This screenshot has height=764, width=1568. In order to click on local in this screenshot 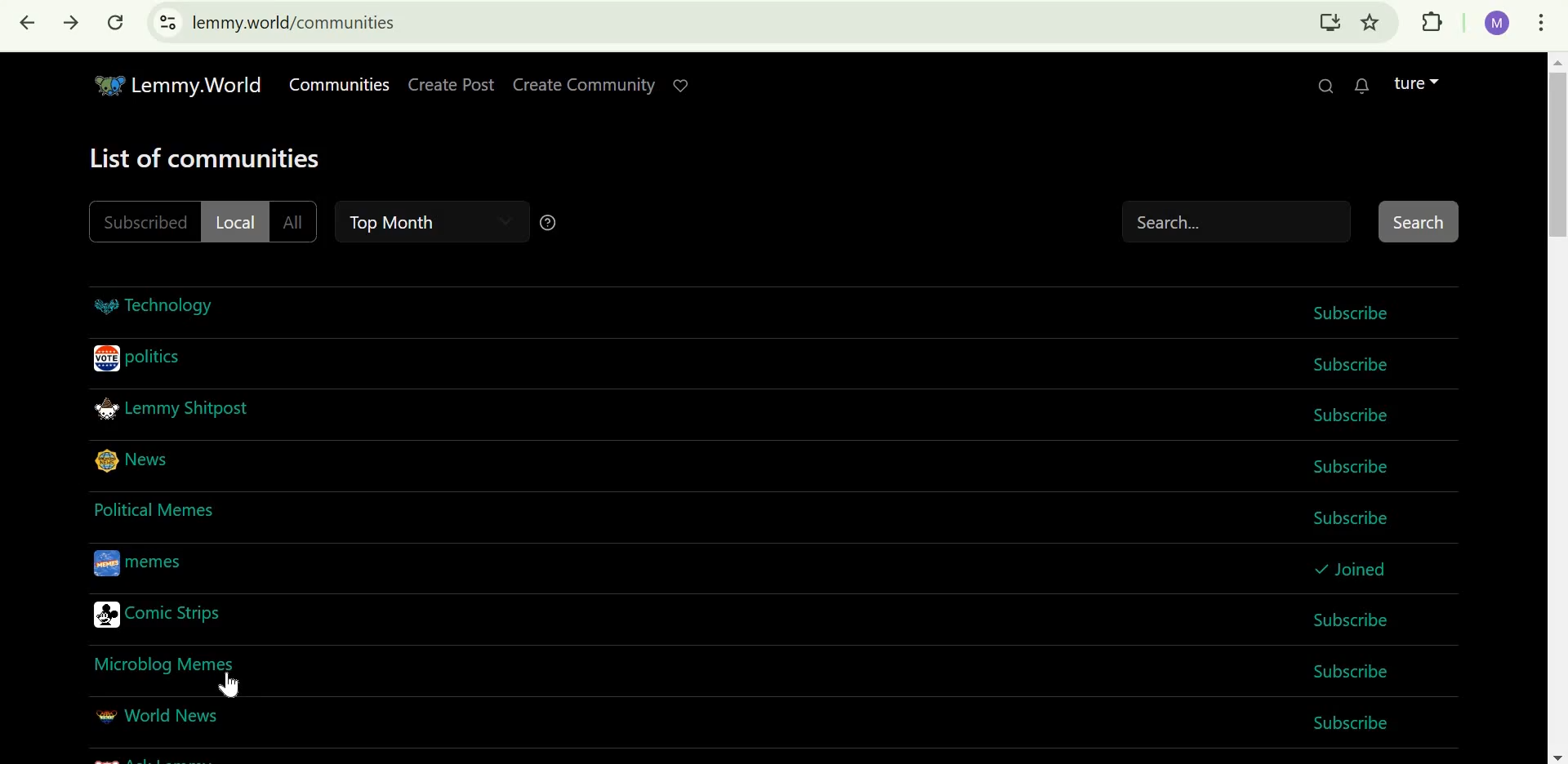, I will do `click(234, 221)`.